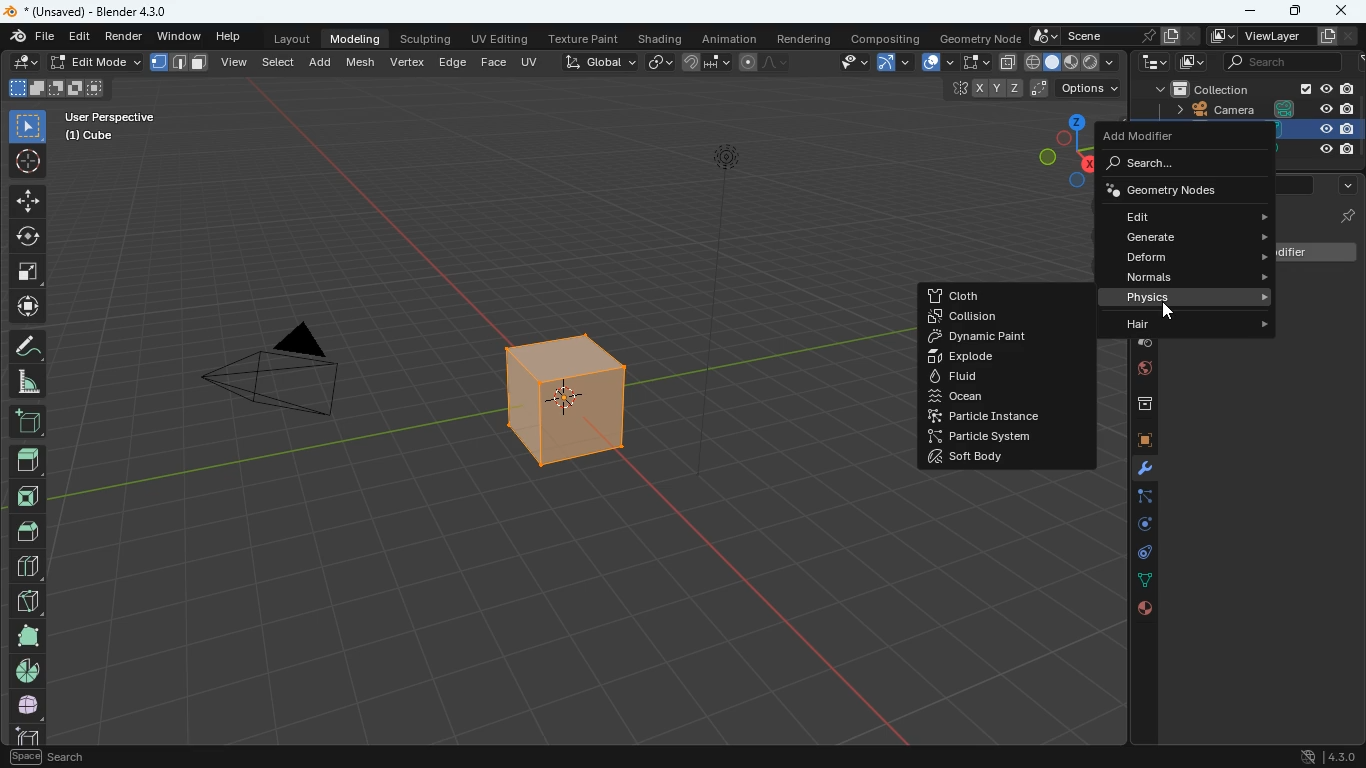  What do you see at coordinates (1182, 189) in the screenshot?
I see `geometry nodes` at bounding box center [1182, 189].